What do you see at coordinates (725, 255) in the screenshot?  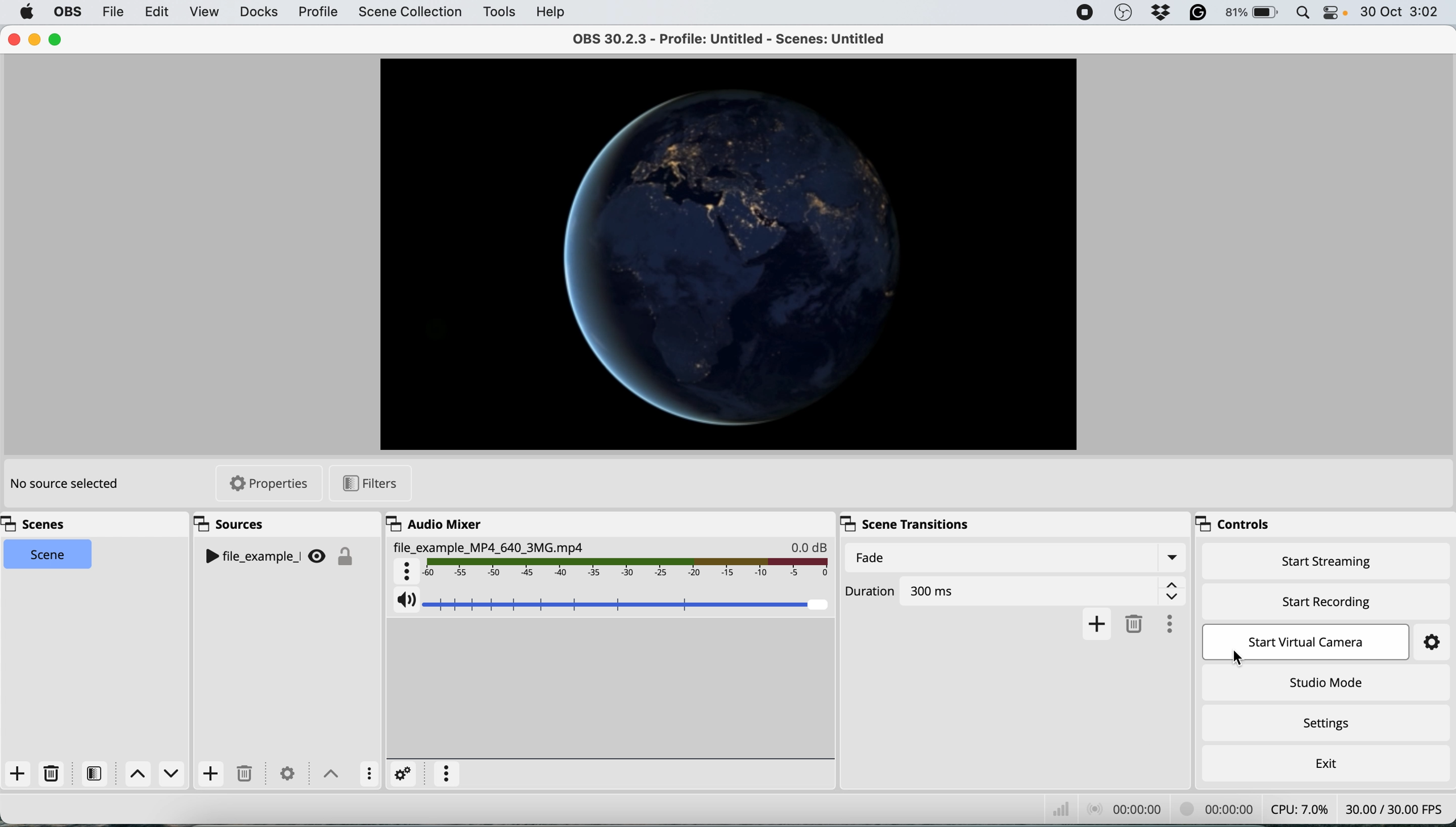 I see `current source` at bounding box center [725, 255].